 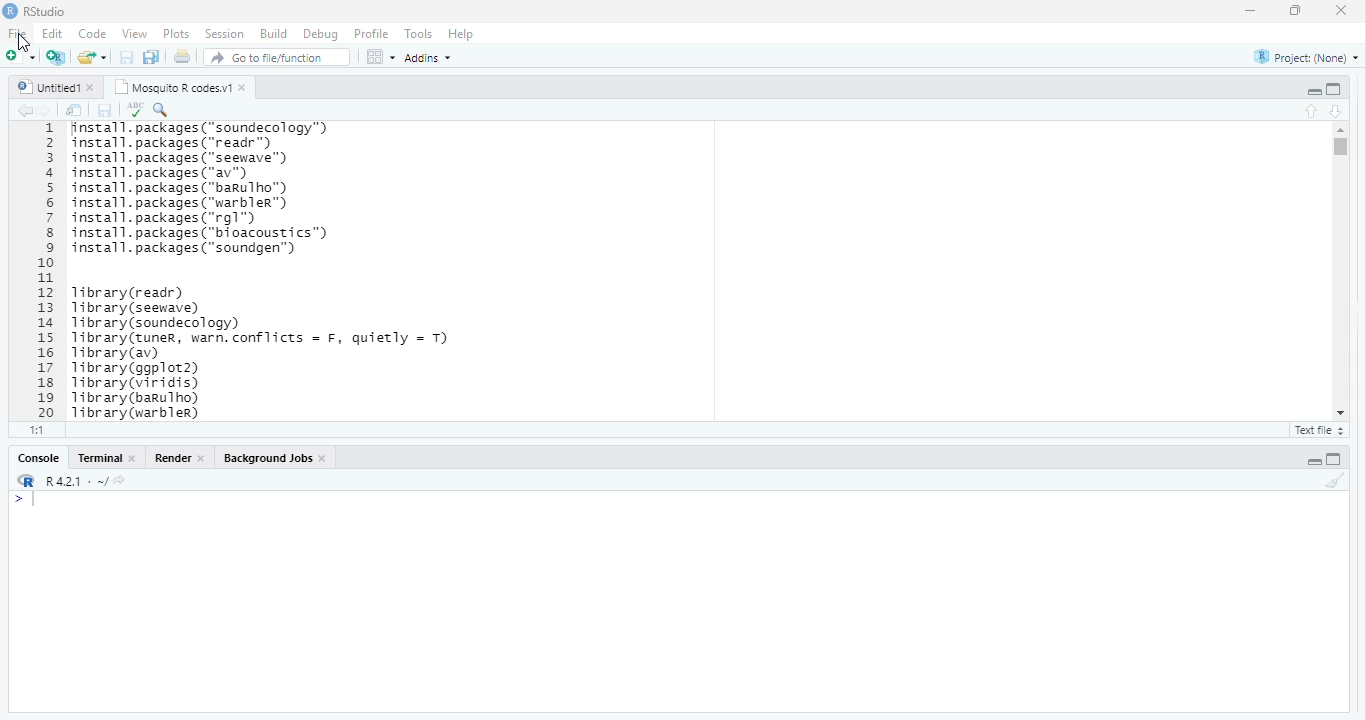 What do you see at coordinates (100, 458) in the screenshot?
I see `Terminal` at bounding box center [100, 458].